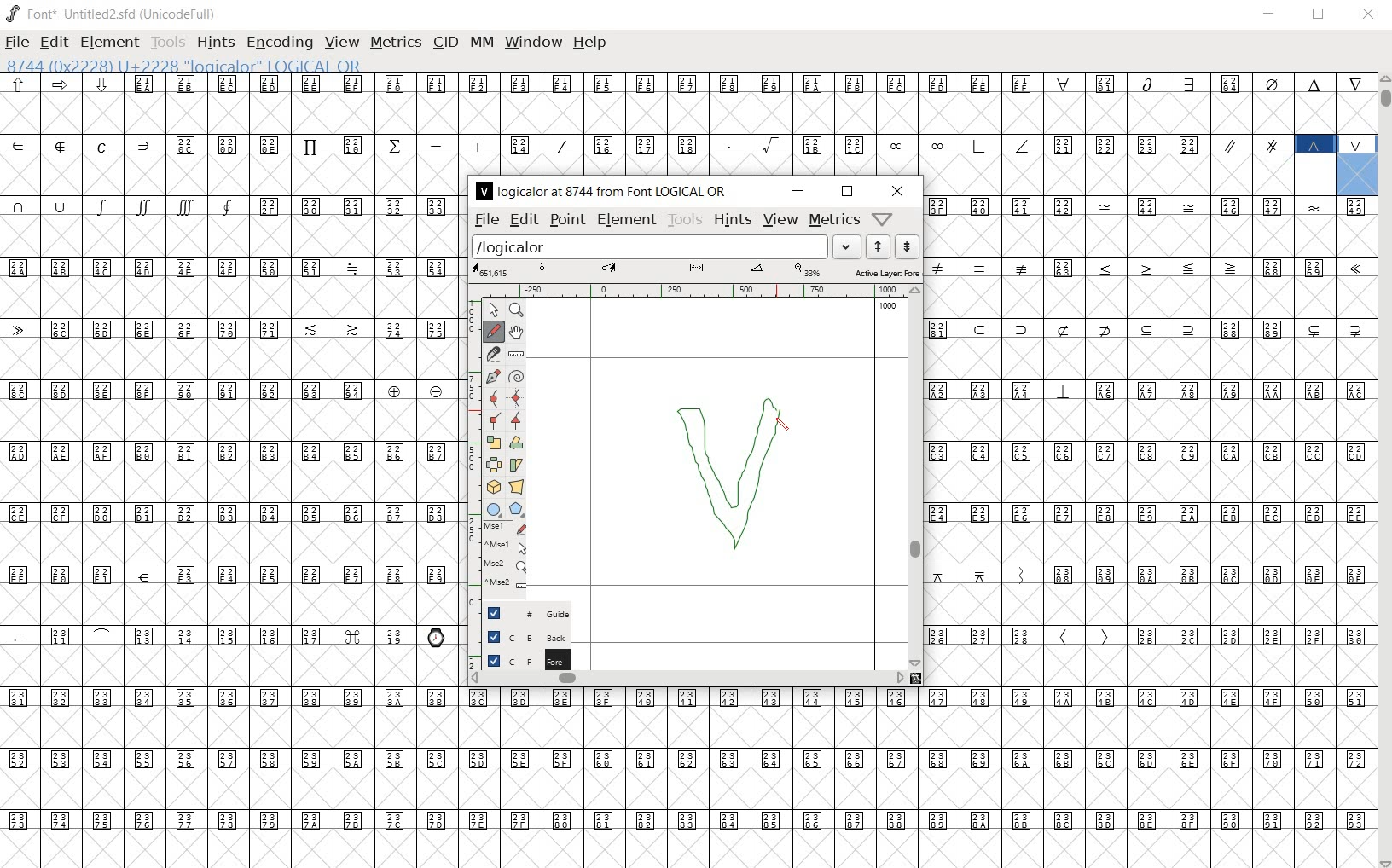 The height and width of the screenshot is (868, 1392). I want to click on perform a perspective transformation on the selection, so click(517, 487).